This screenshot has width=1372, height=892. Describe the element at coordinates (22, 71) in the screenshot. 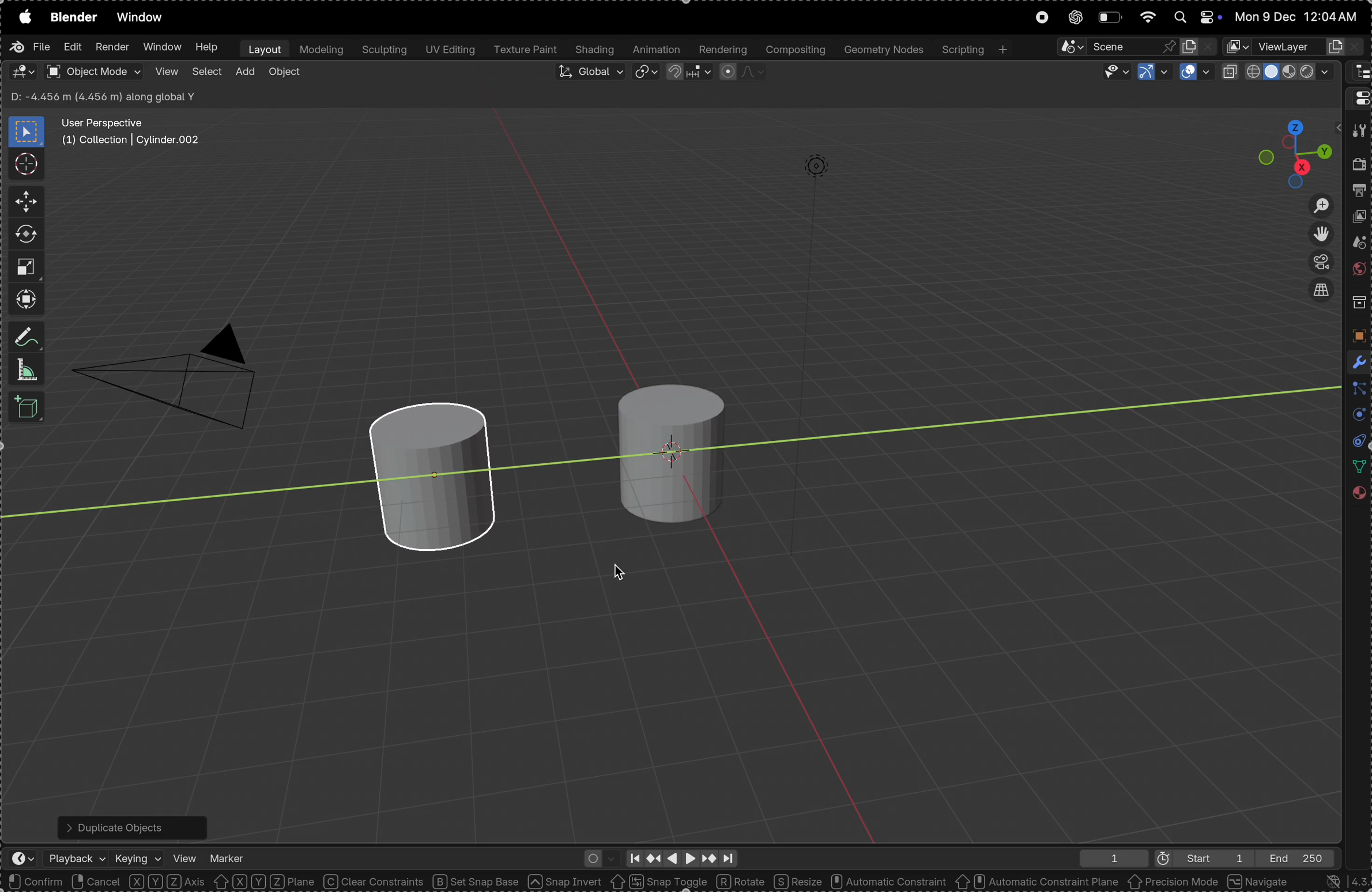

I see `editor type` at that location.